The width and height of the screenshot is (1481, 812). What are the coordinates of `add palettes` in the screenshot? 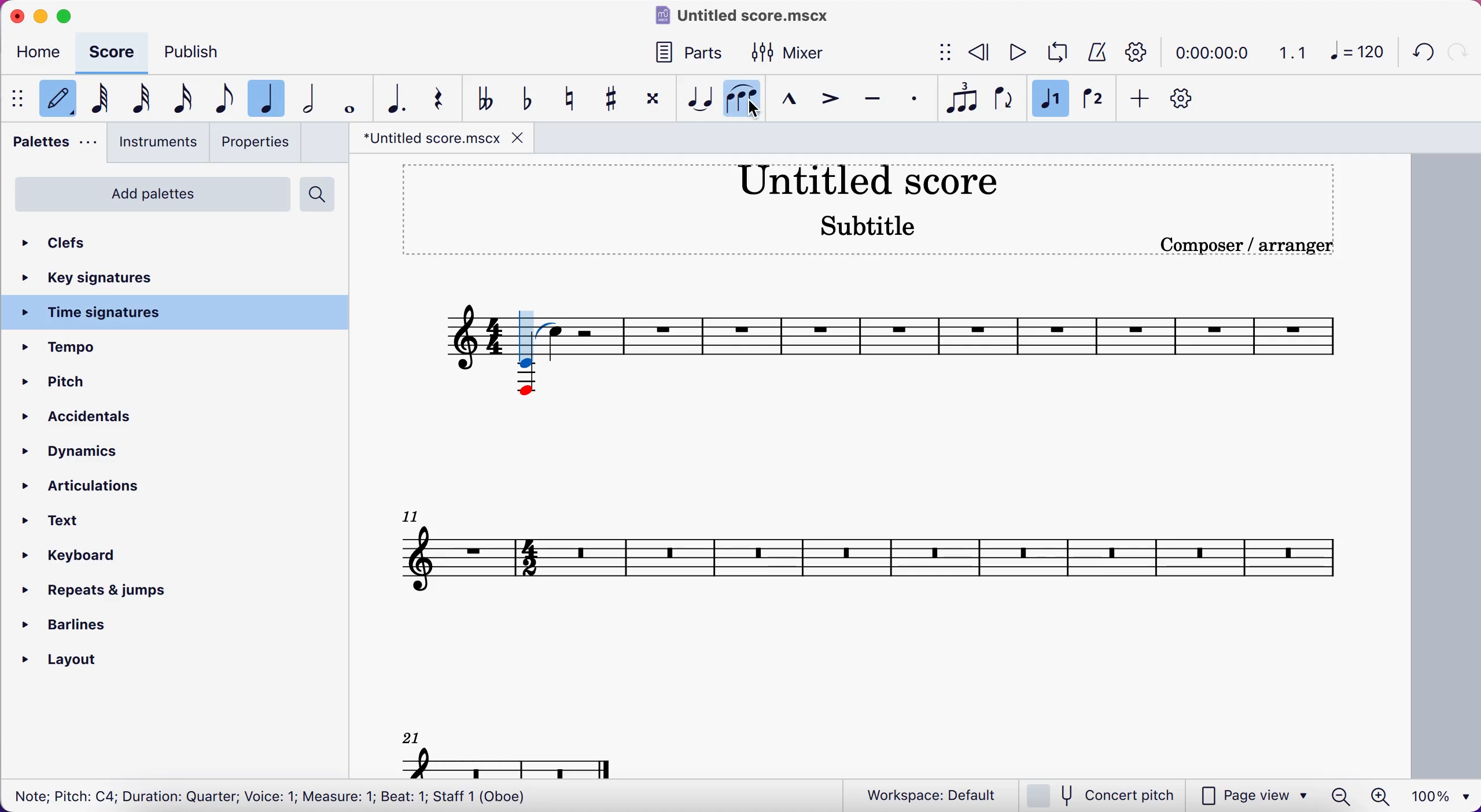 It's located at (154, 194).